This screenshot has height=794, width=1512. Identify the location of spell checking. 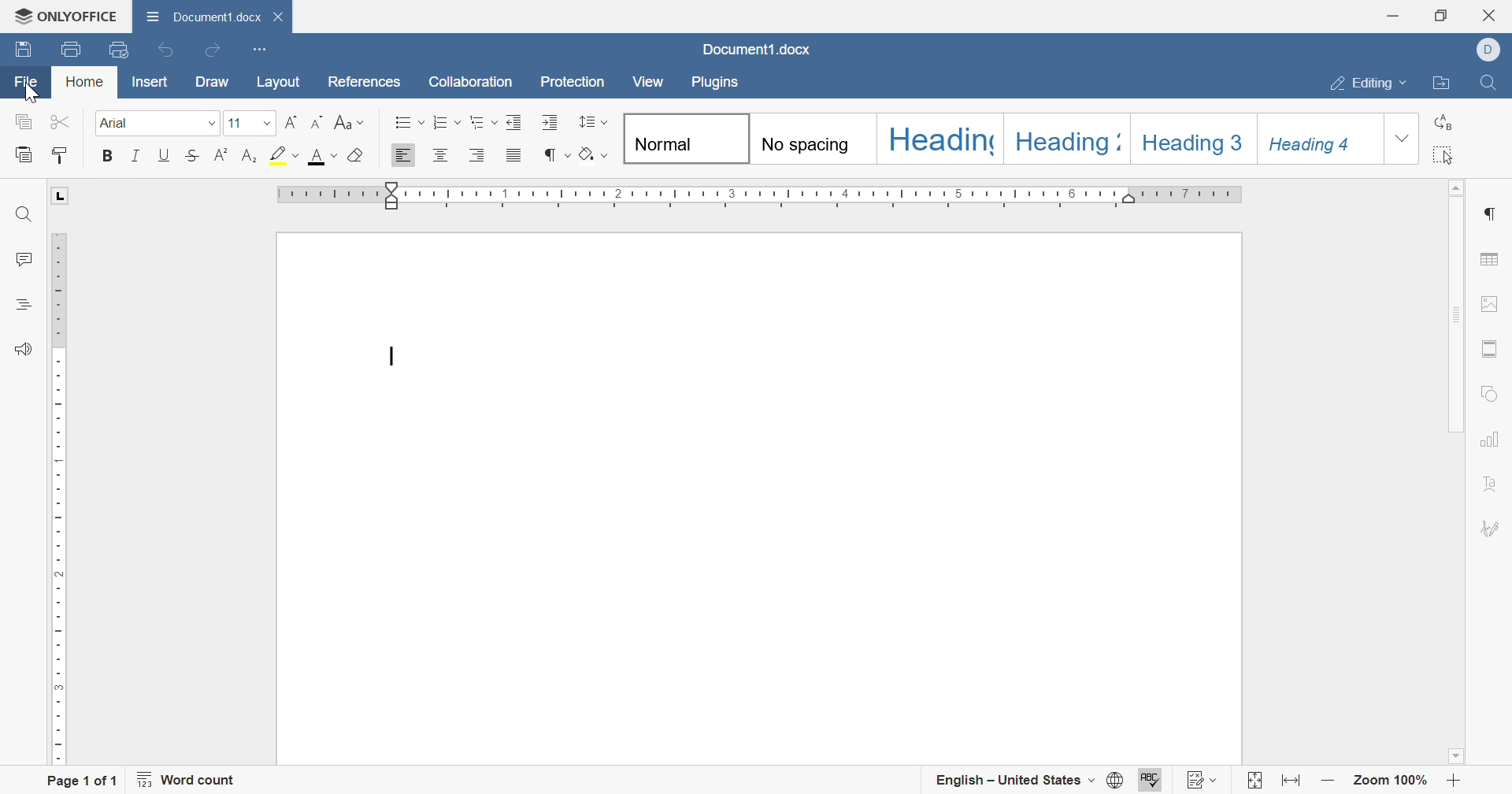
(1151, 781).